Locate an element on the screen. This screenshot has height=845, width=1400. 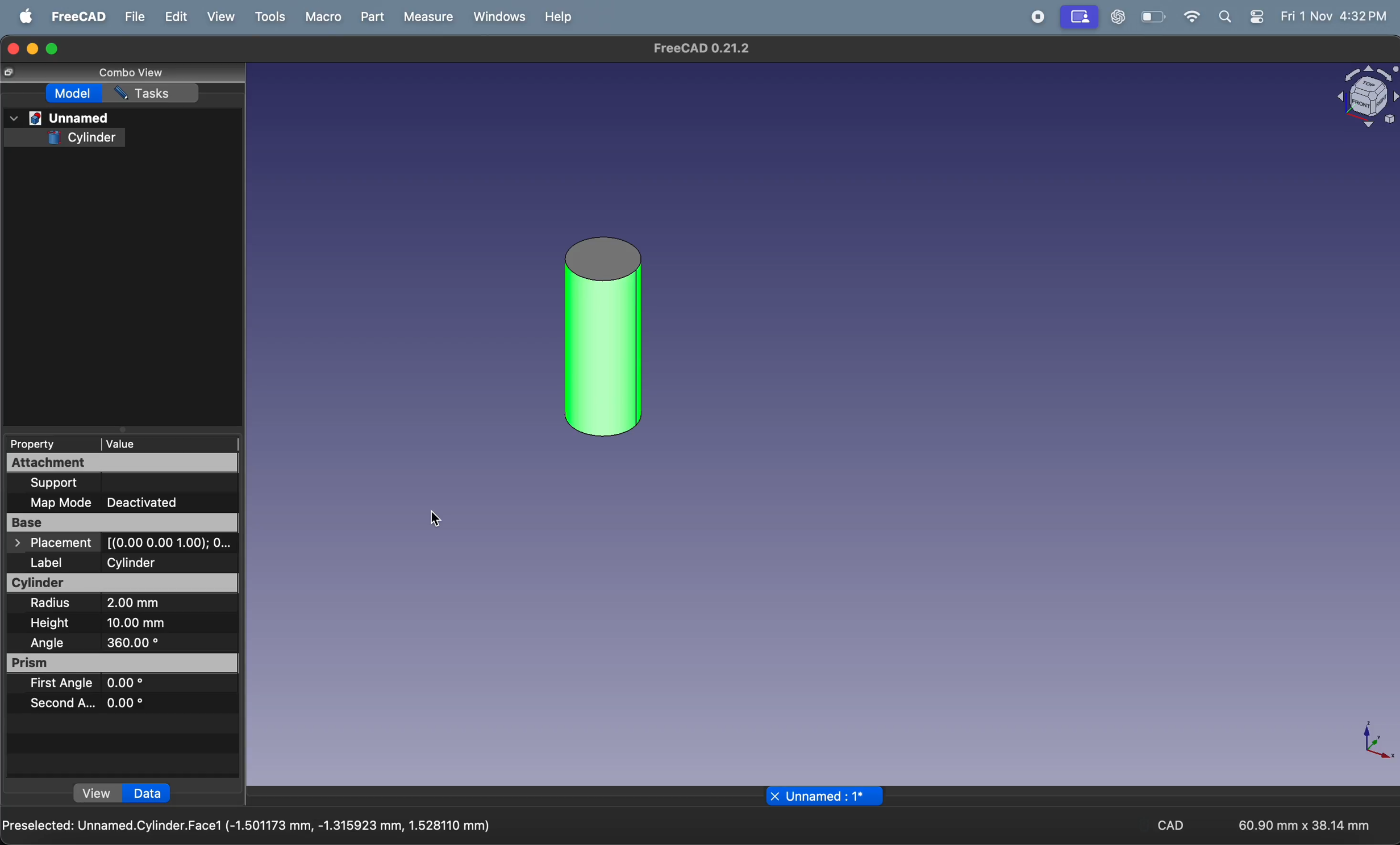
stop is located at coordinates (1039, 17).